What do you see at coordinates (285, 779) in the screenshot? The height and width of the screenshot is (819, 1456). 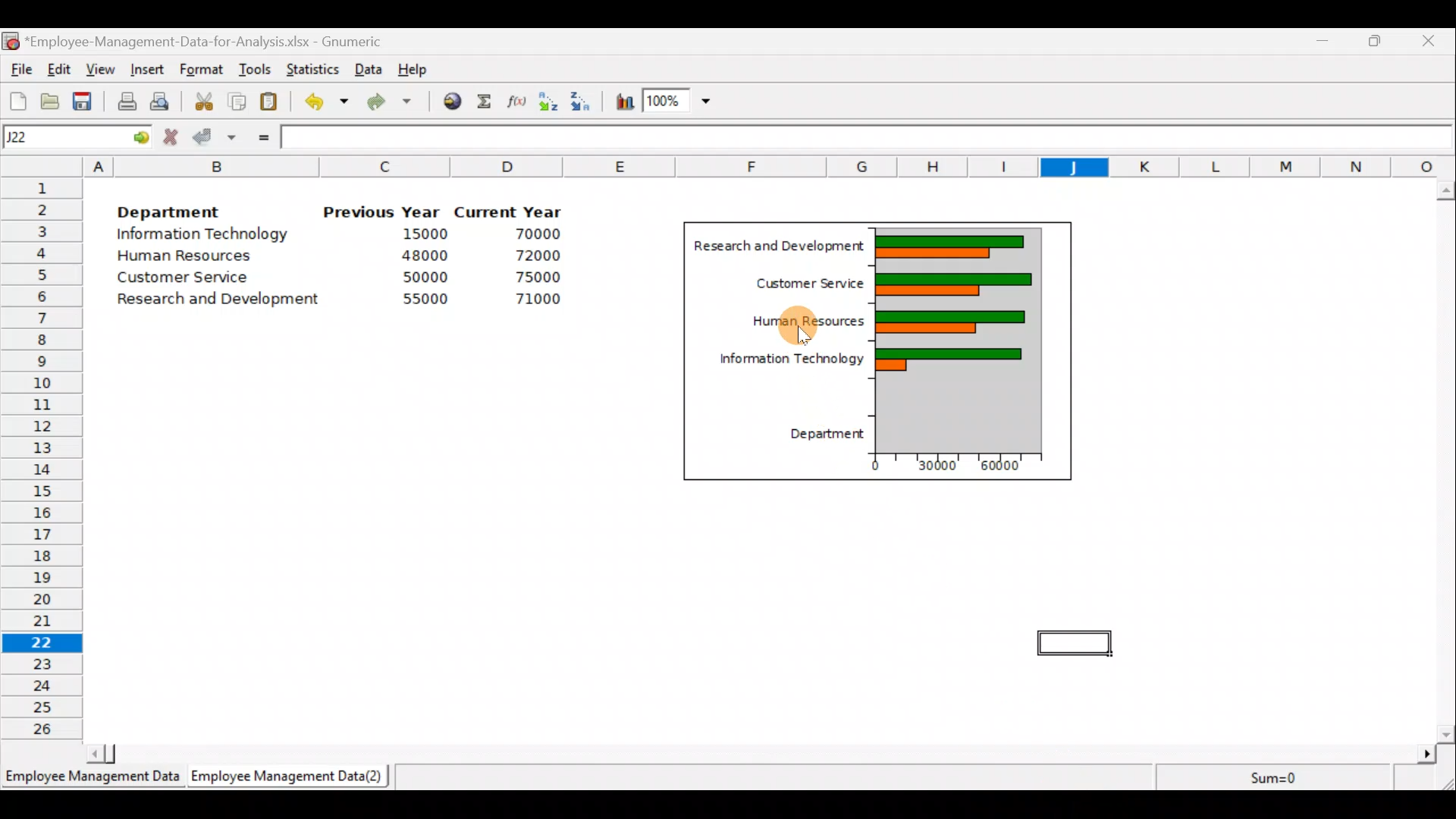 I see `Employee Management Data (2)` at bounding box center [285, 779].